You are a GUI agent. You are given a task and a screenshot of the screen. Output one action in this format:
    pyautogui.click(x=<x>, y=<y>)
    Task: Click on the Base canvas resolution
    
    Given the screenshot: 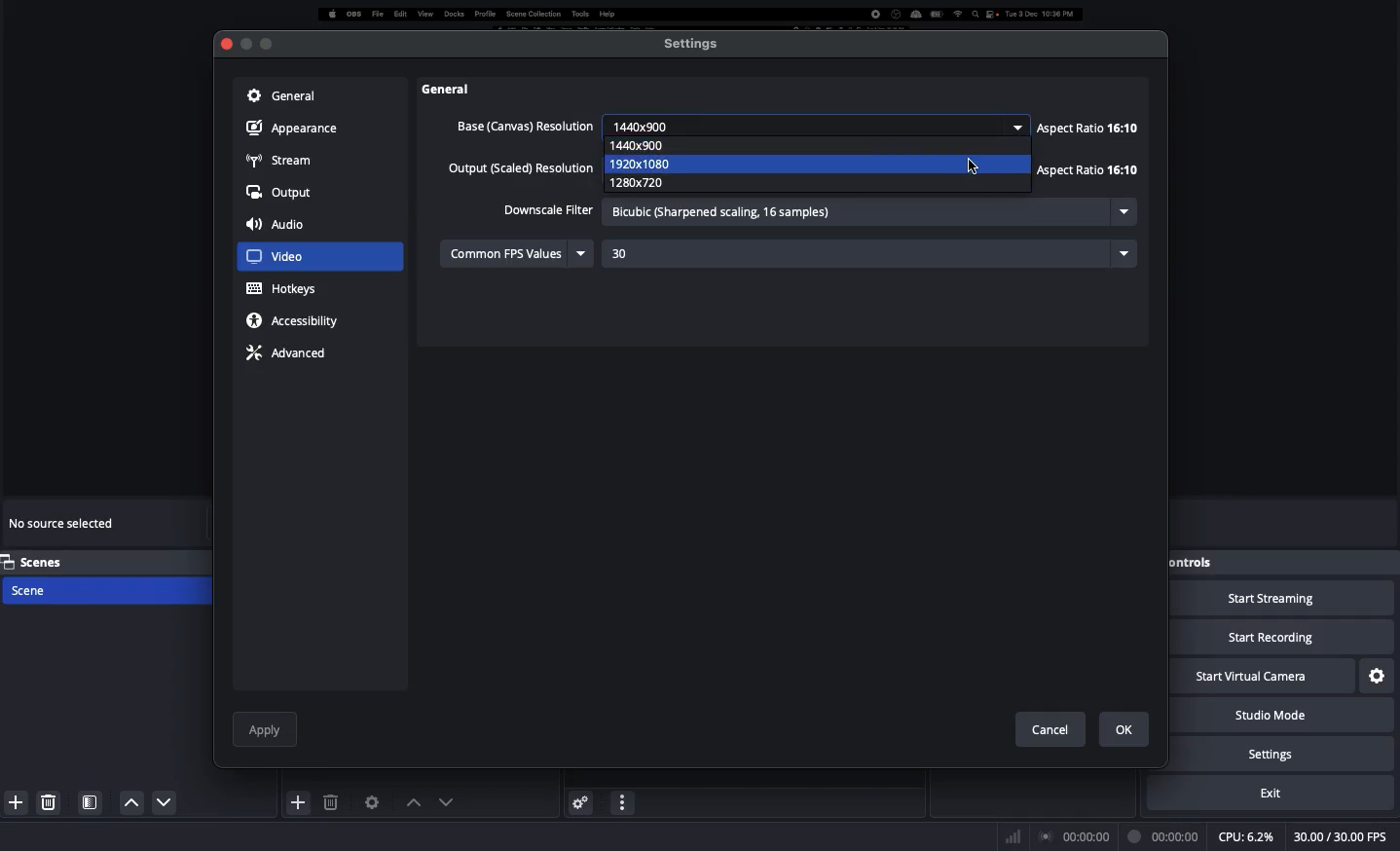 What is the action you would take?
    pyautogui.click(x=520, y=126)
    